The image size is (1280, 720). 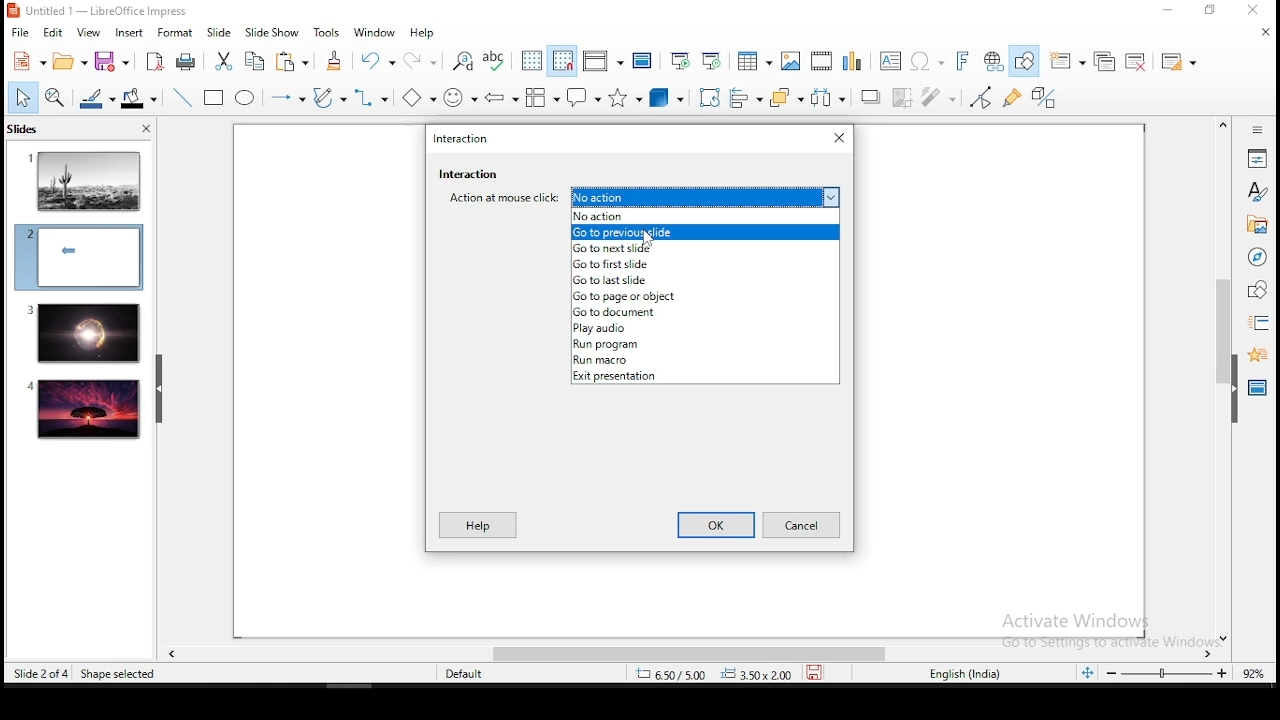 I want to click on action at mouse click, so click(x=646, y=196).